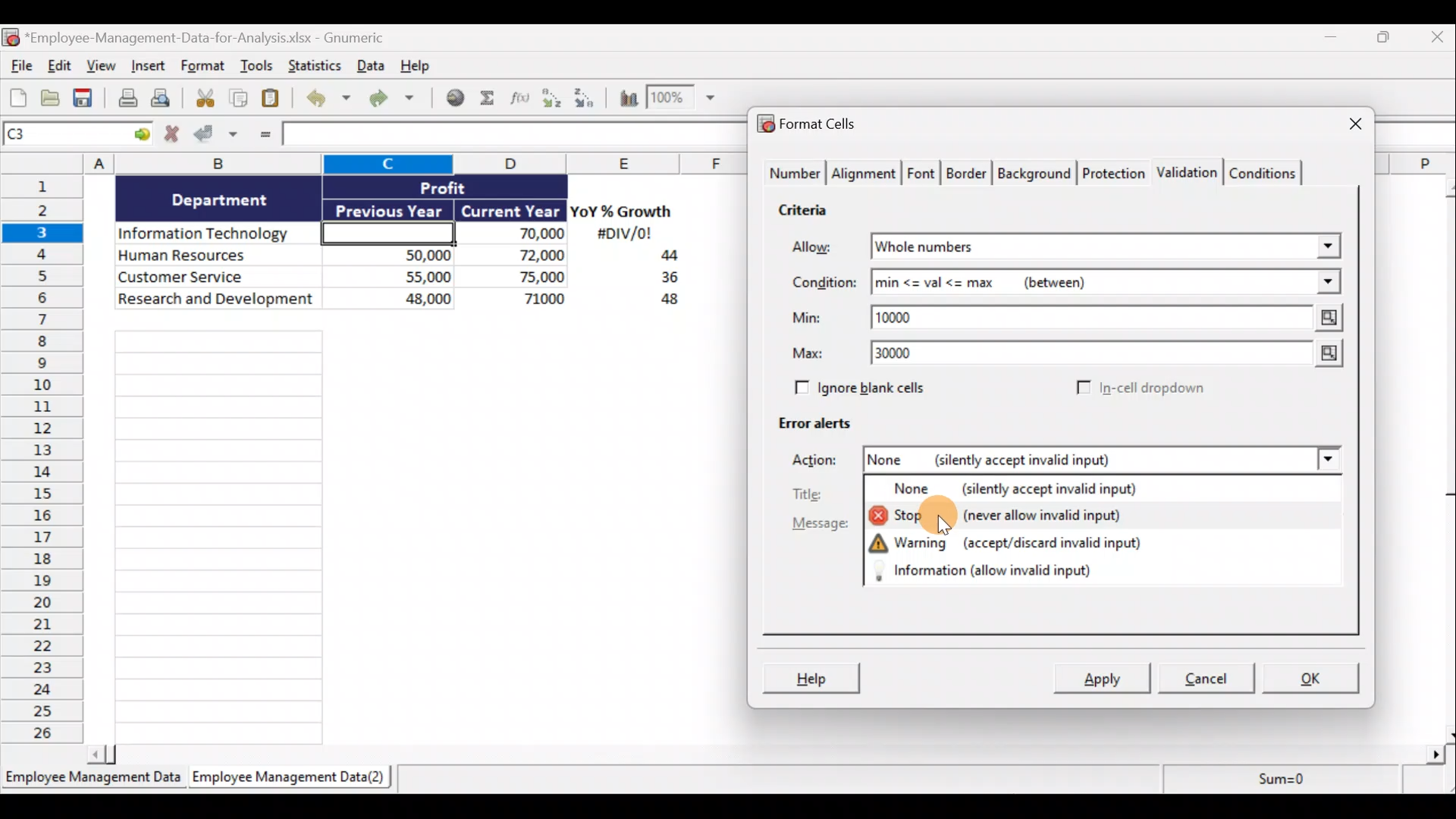 The height and width of the screenshot is (819, 1456). Describe the element at coordinates (369, 65) in the screenshot. I see `Data` at that location.